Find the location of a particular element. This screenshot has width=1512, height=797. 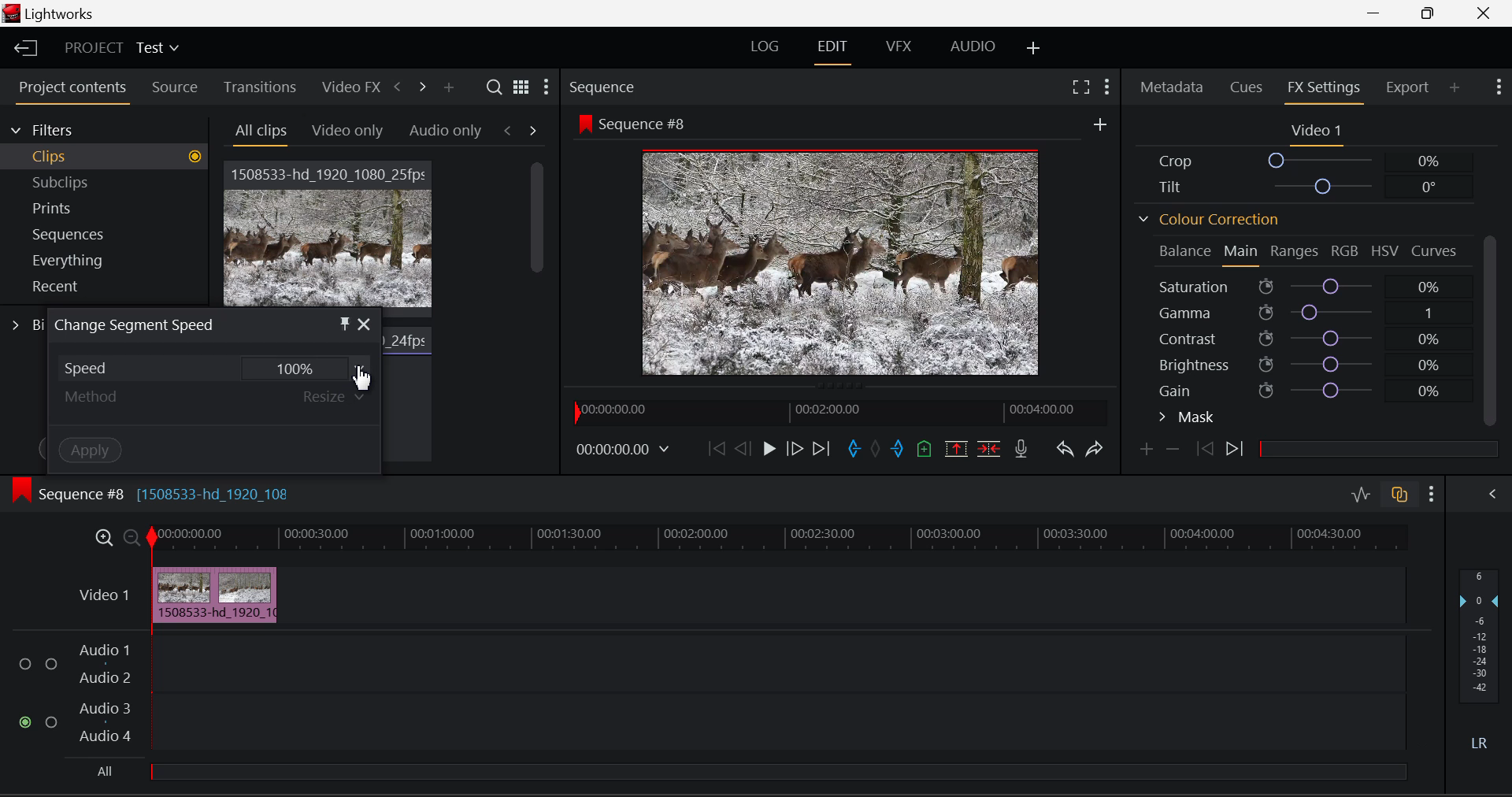

Curves is located at coordinates (1436, 250).